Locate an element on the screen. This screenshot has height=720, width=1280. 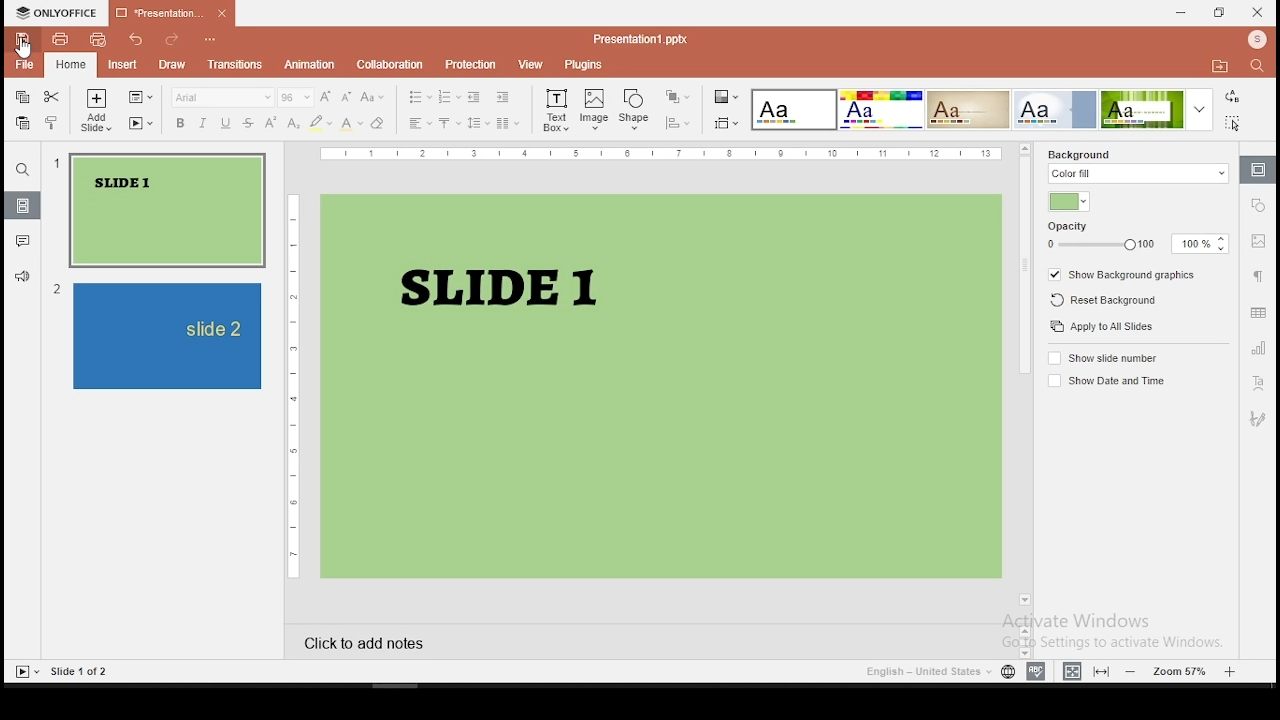
vertical alignment is located at coordinates (450, 123).